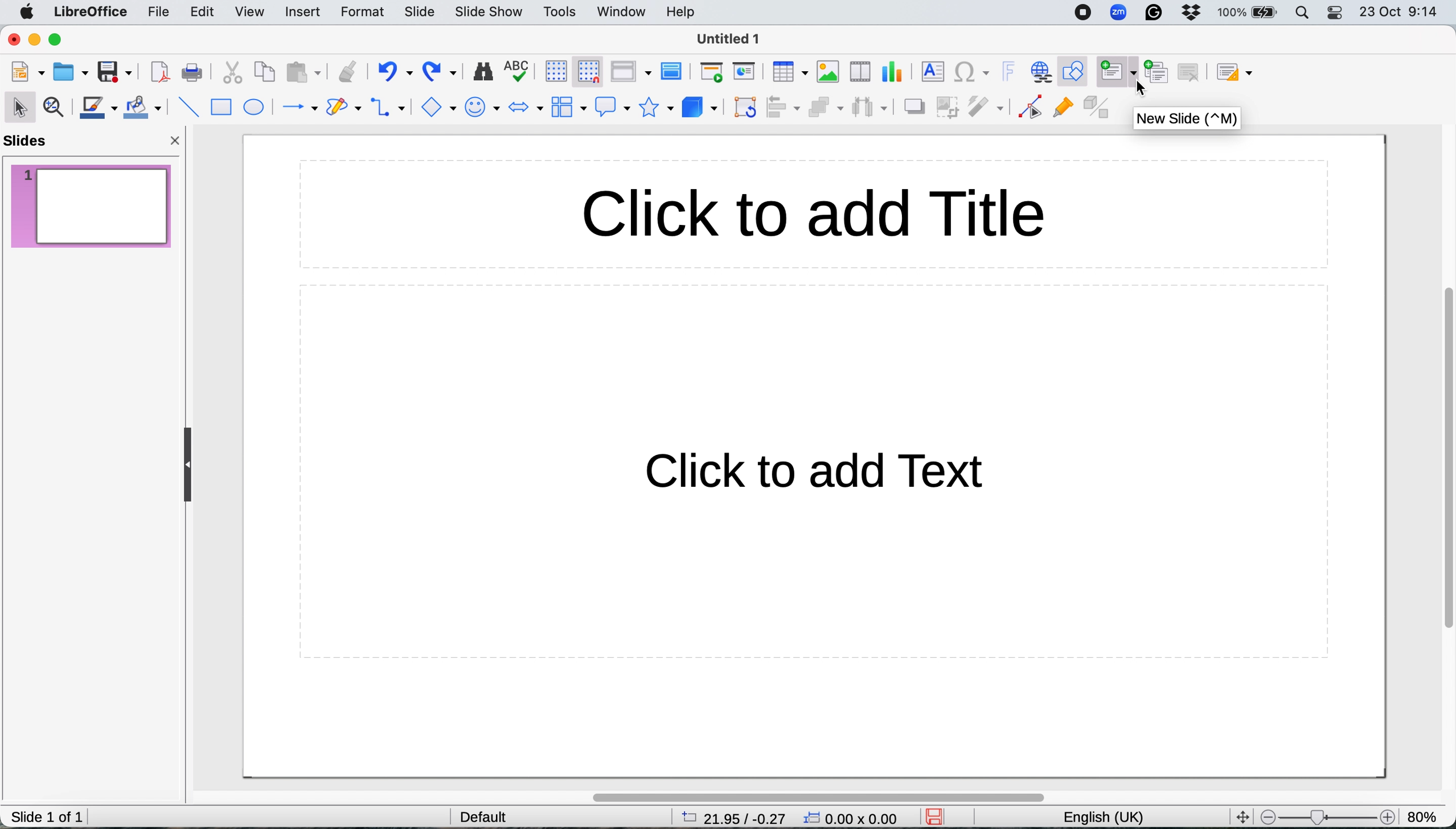  What do you see at coordinates (633, 72) in the screenshot?
I see `display views` at bounding box center [633, 72].